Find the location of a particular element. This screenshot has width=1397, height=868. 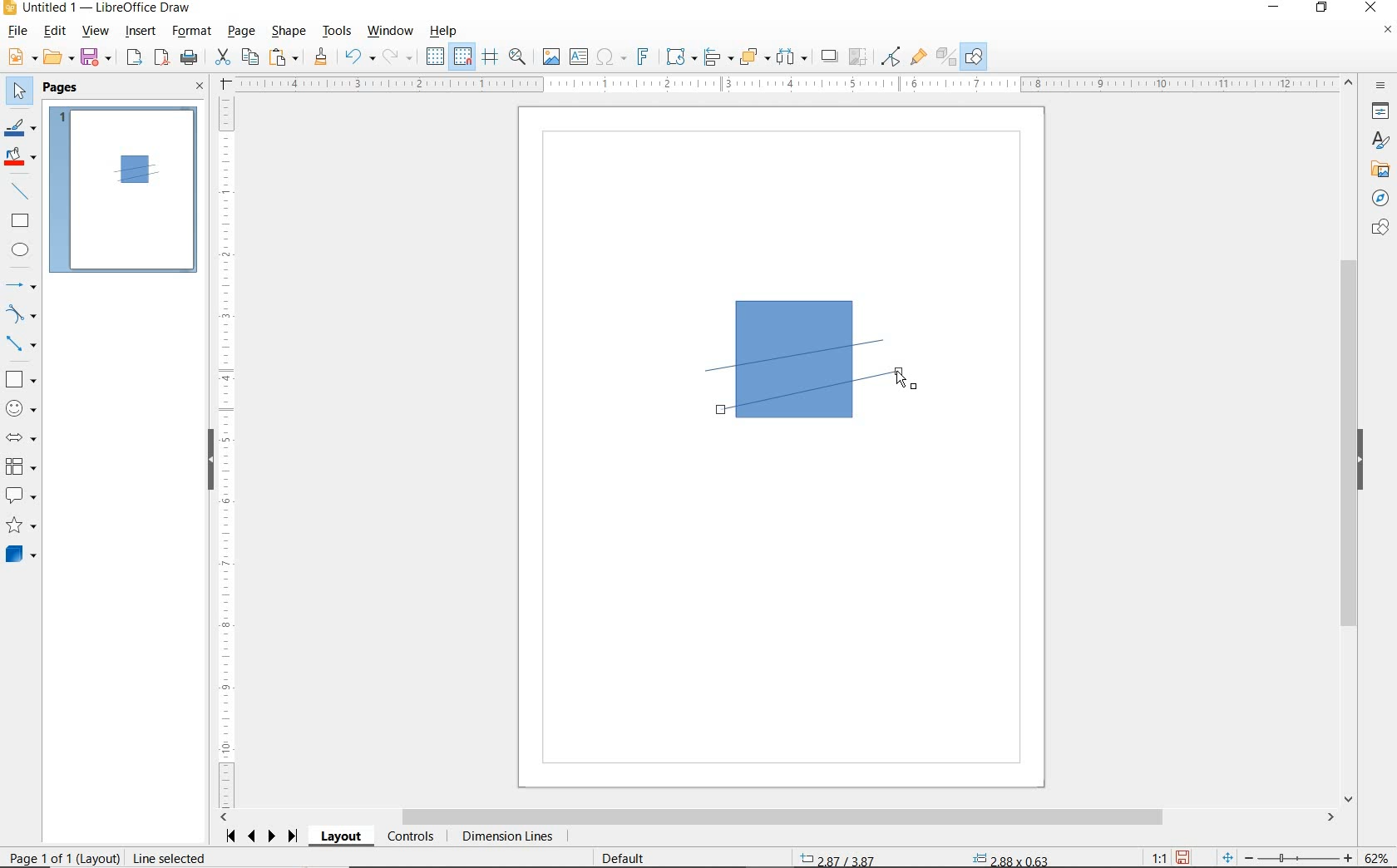

STYLES is located at coordinates (1376, 141).